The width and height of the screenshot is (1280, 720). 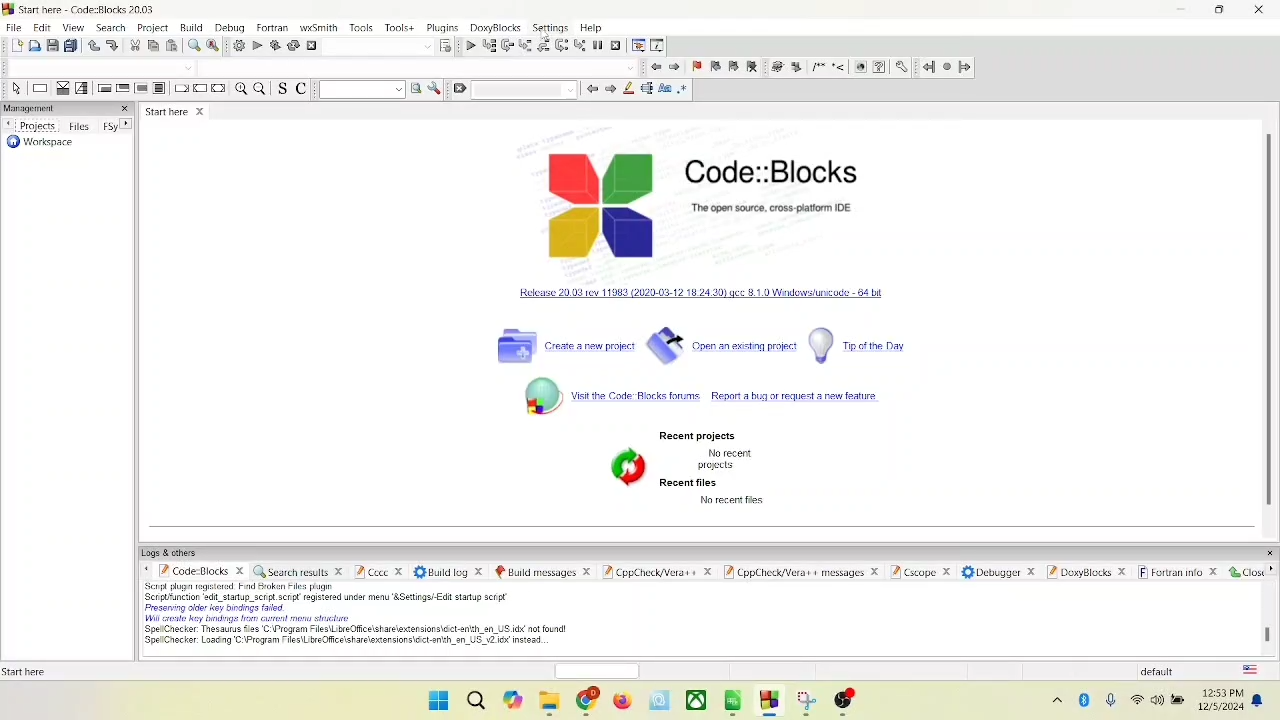 I want to click on file, so click(x=12, y=27).